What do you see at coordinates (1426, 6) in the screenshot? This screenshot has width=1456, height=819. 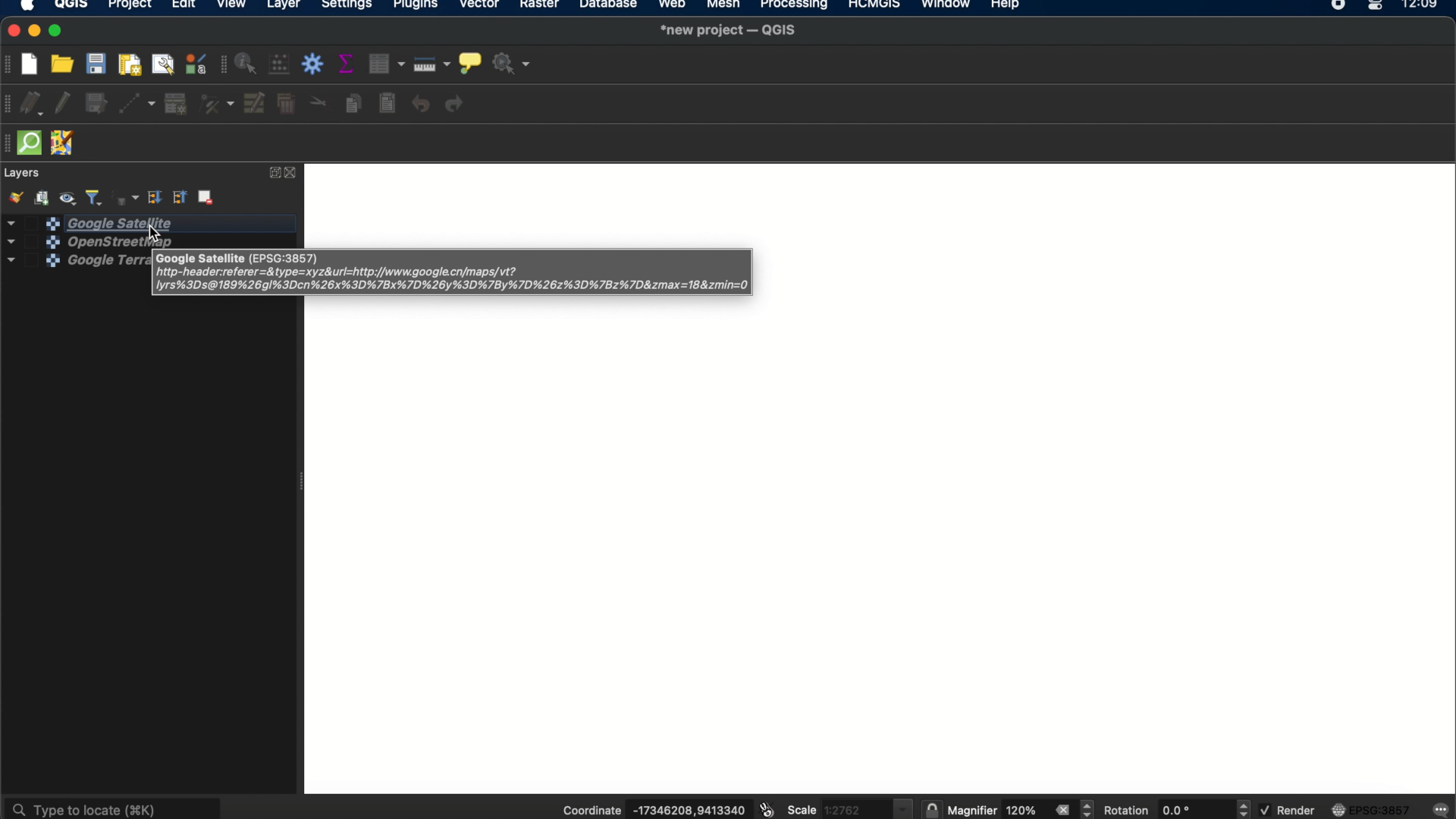 I see `12.09` at bounding box center [1426, 6].